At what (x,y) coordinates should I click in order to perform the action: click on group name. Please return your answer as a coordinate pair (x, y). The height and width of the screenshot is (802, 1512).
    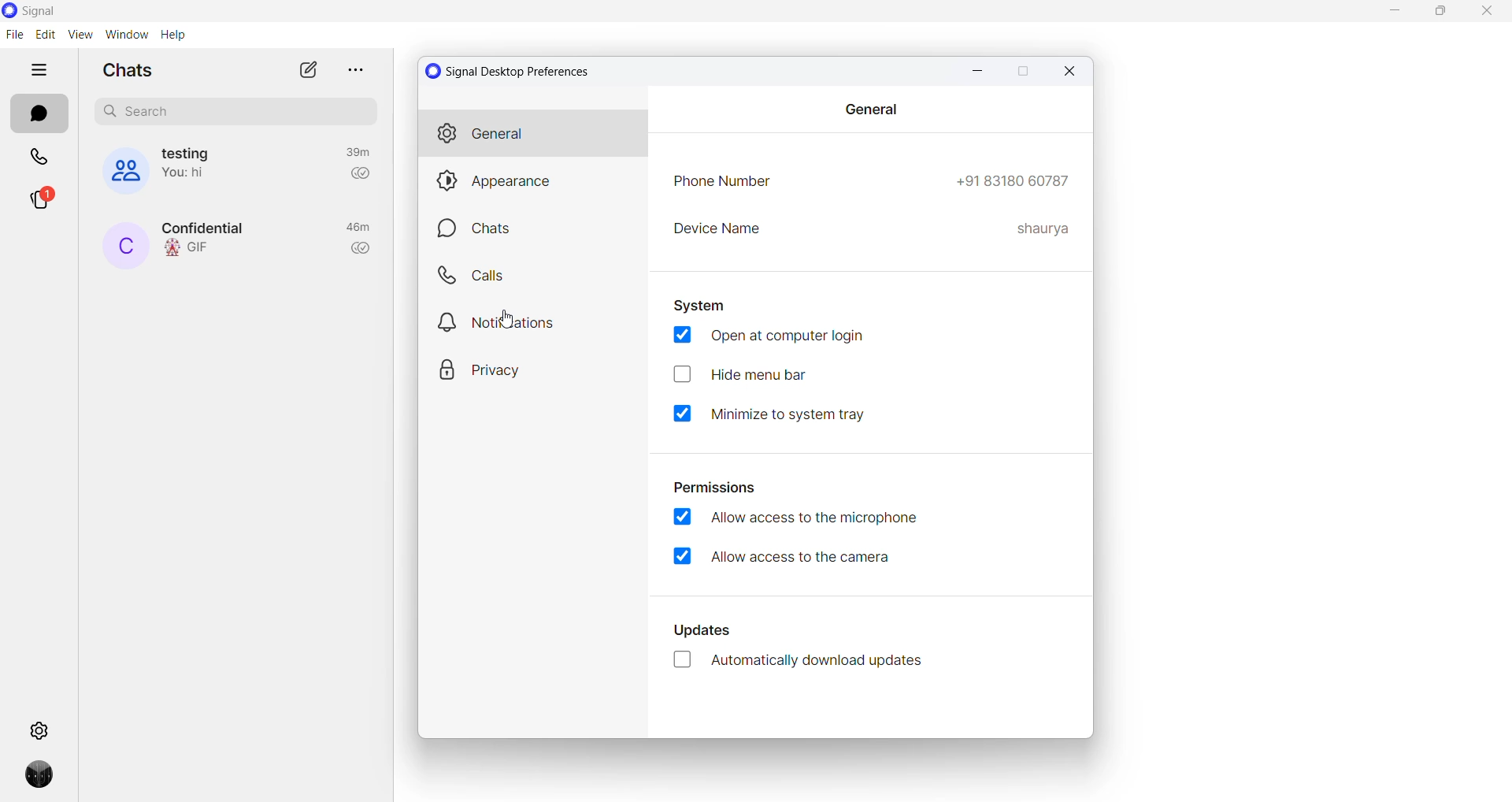
    Looking at the image, I should click on (191, 152).